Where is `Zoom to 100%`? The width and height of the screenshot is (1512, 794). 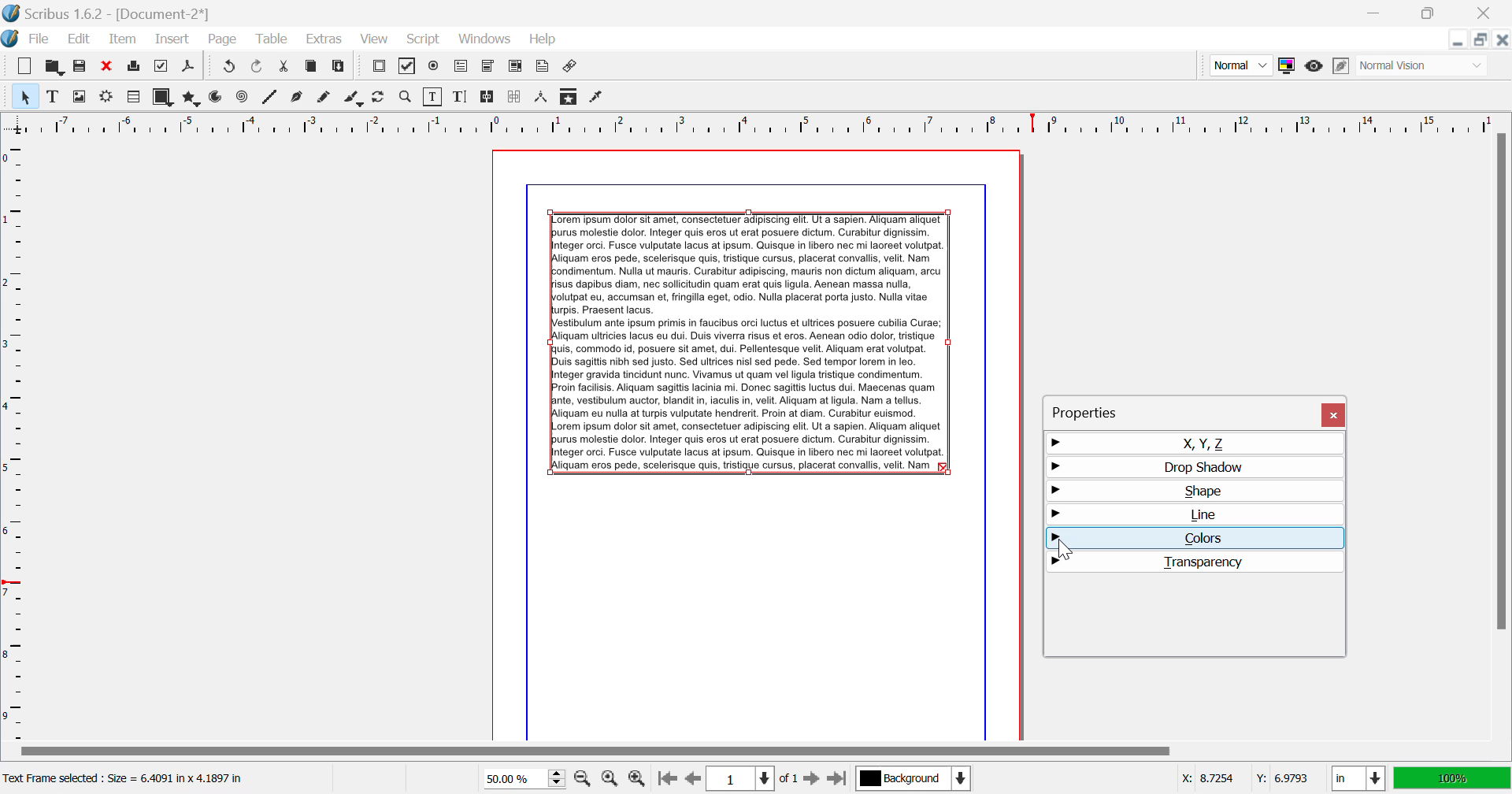 Zoom to 100% is located at coordinates (610, 778).